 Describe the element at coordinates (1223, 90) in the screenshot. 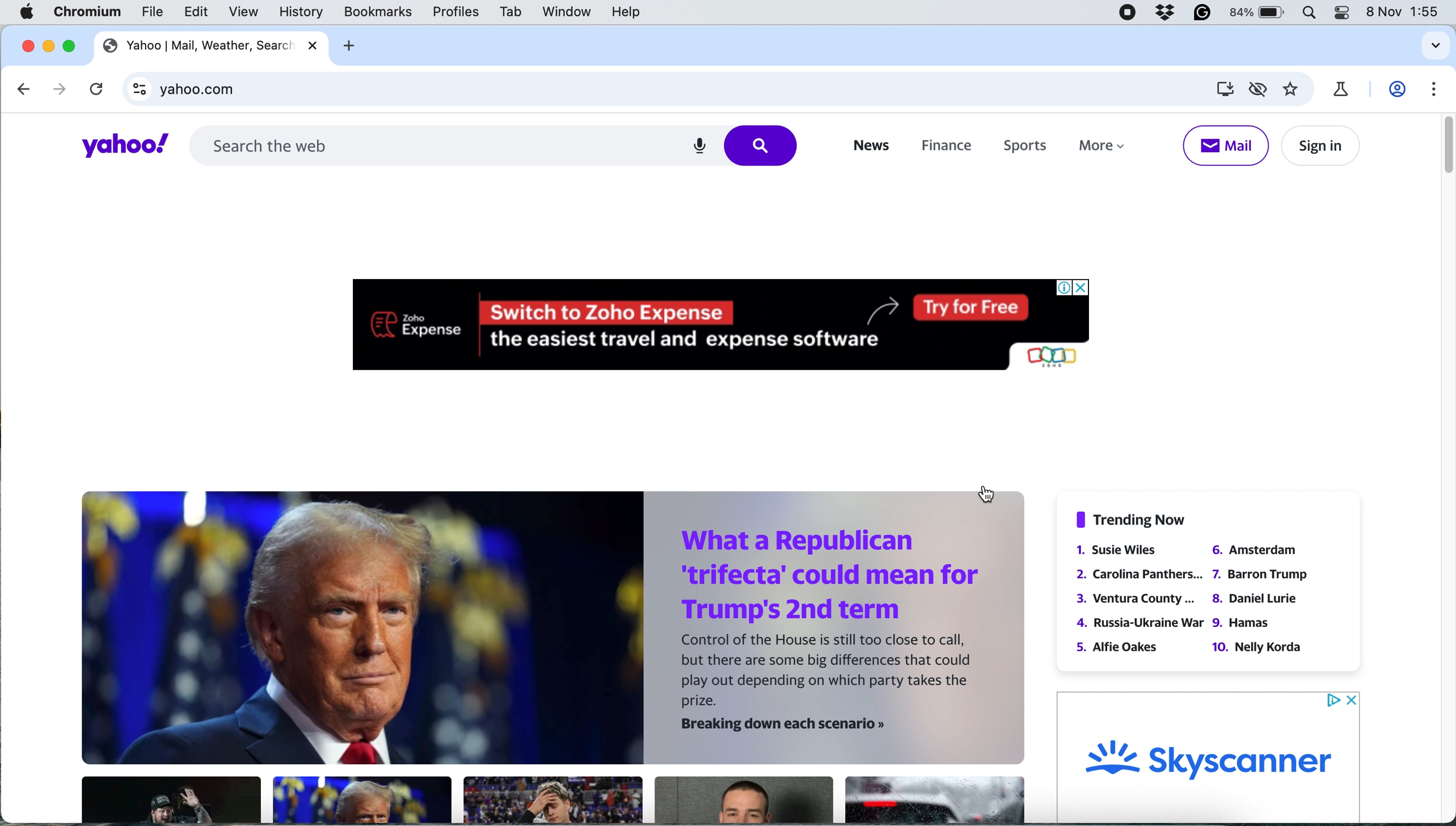

I see `install yahoo` at that location.